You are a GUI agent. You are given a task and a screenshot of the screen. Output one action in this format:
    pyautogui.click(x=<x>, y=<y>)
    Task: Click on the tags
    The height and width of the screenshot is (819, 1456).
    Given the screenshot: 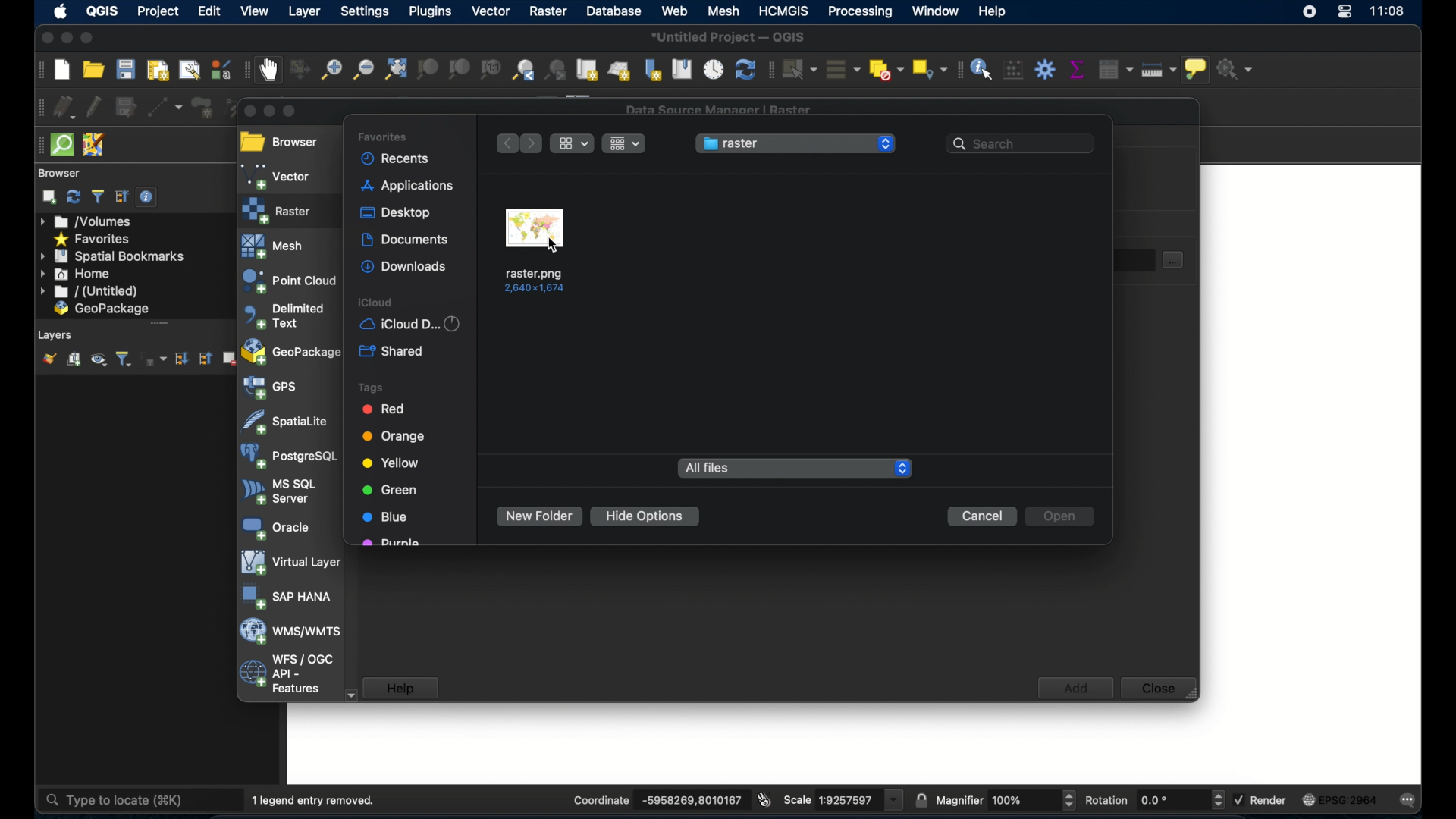 What is the action you would take?
    pyautogui.click(x=372, y=386)
    